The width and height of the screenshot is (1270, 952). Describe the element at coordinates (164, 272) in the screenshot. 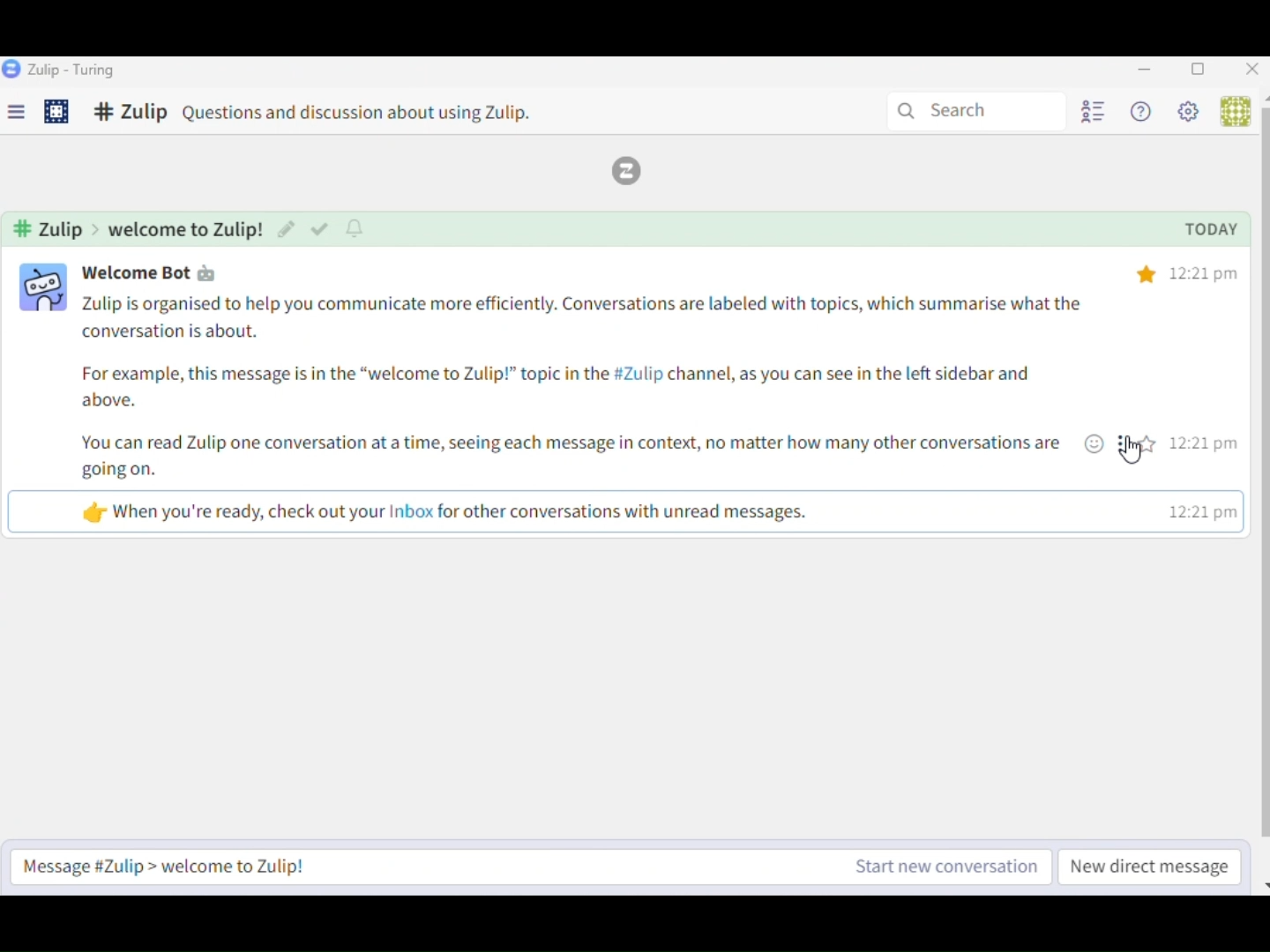

I see `user name` at that location.